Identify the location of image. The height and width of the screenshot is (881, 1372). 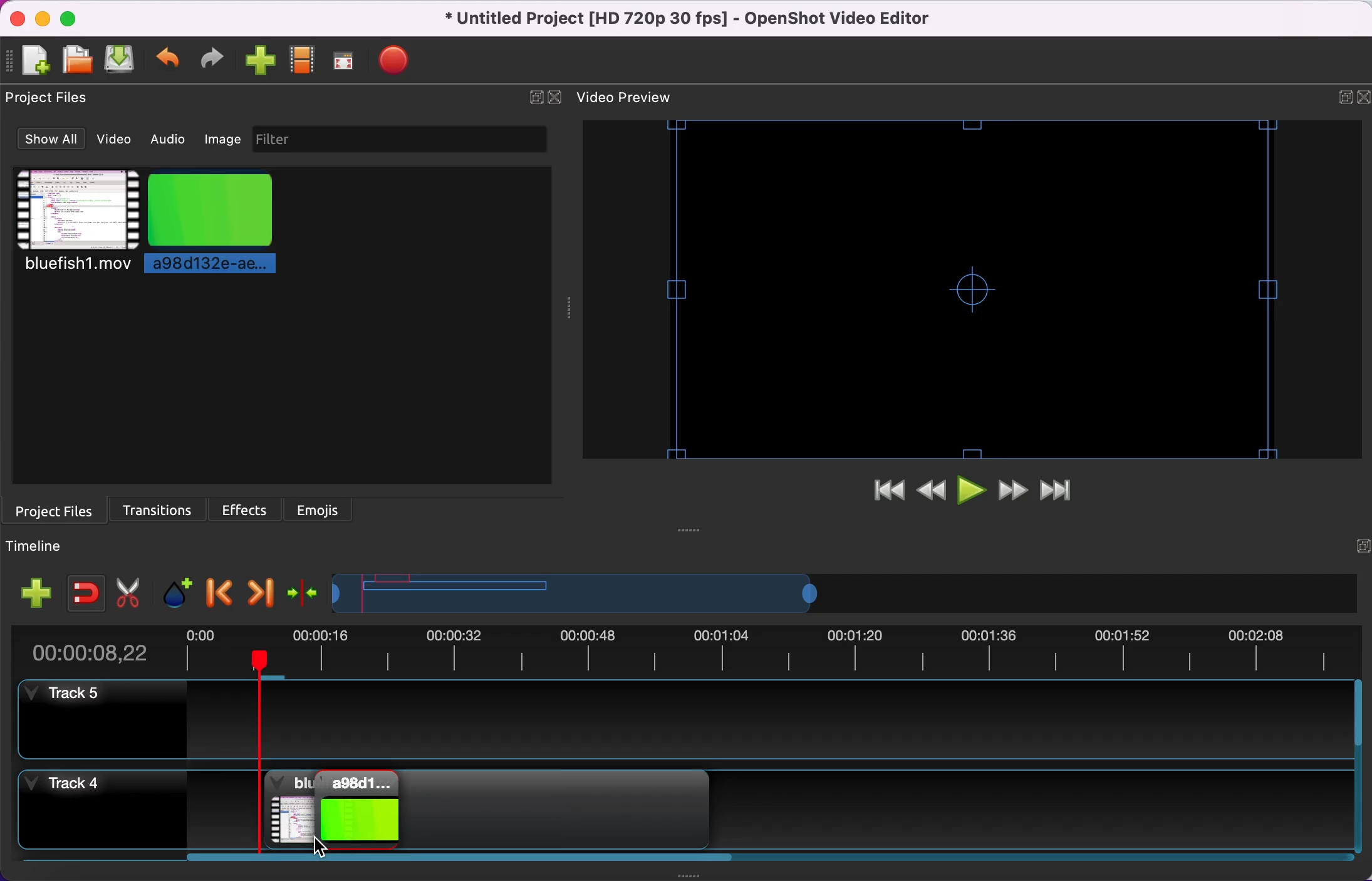
(221, 138).